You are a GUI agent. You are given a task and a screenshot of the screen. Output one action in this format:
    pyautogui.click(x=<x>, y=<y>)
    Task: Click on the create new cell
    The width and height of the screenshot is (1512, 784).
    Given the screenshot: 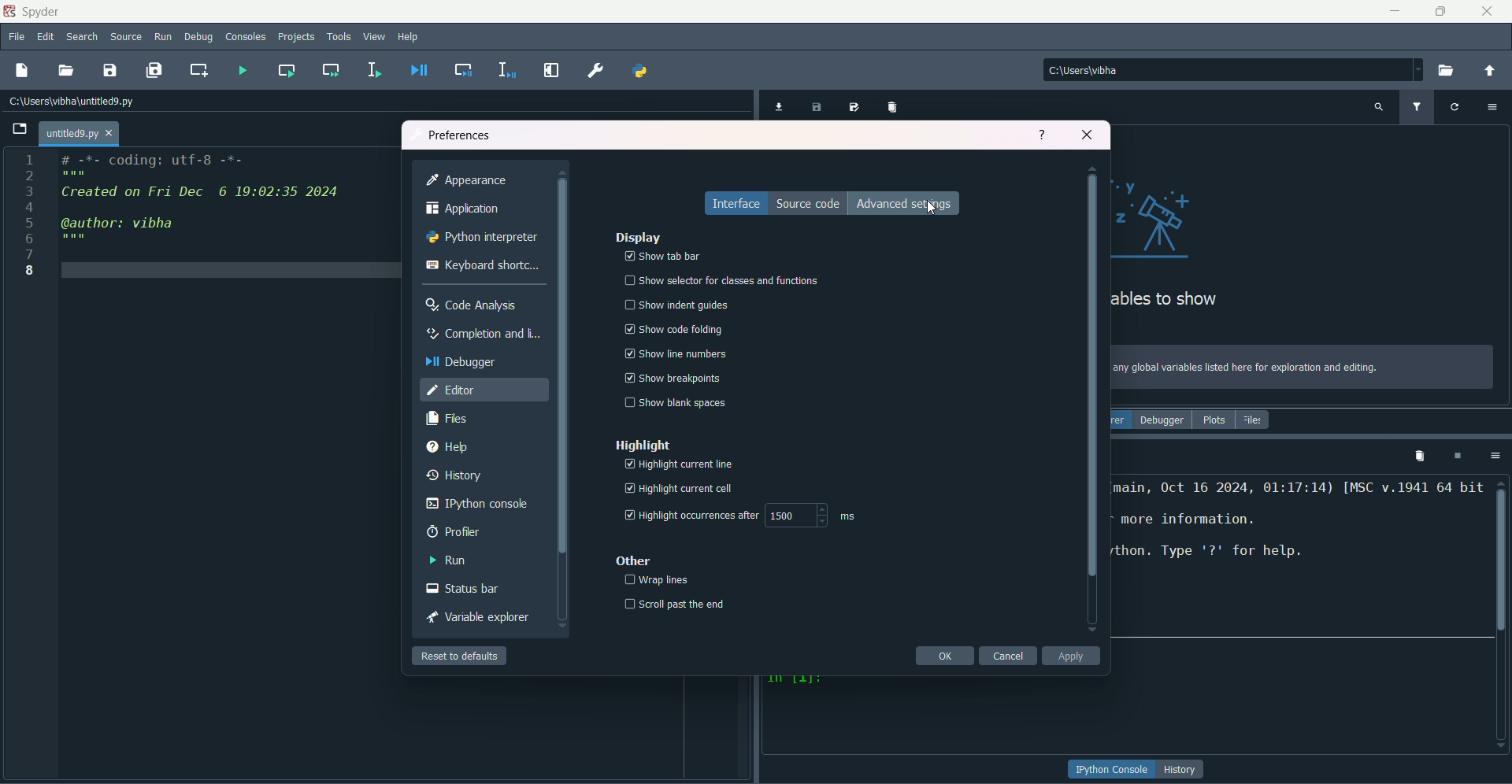 What is the action you would take?
    pyautogui.click(x=199, y=69)
    